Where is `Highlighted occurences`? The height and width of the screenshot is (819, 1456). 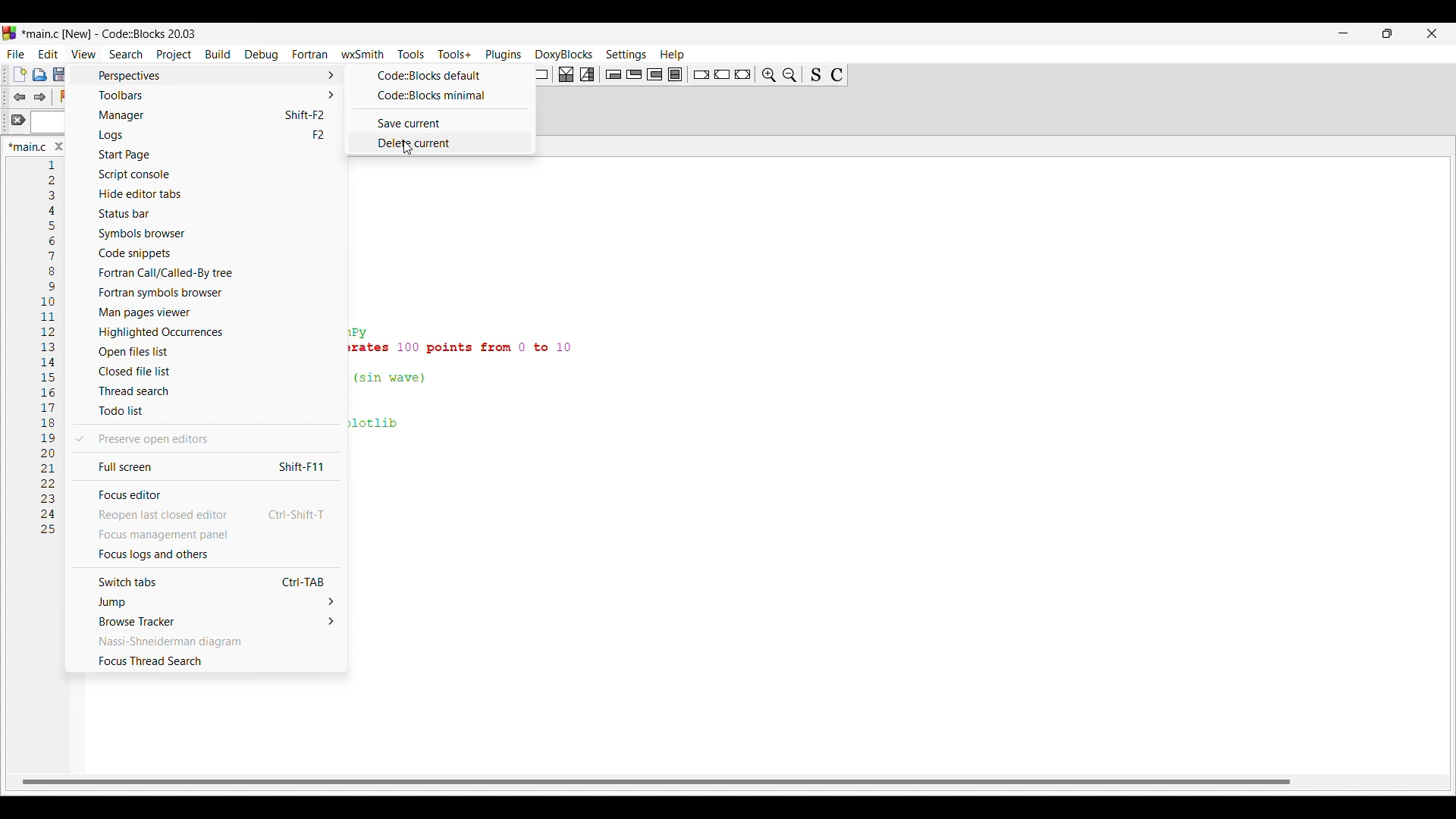 Highlighted occurences is located at coordinates (207, 332).